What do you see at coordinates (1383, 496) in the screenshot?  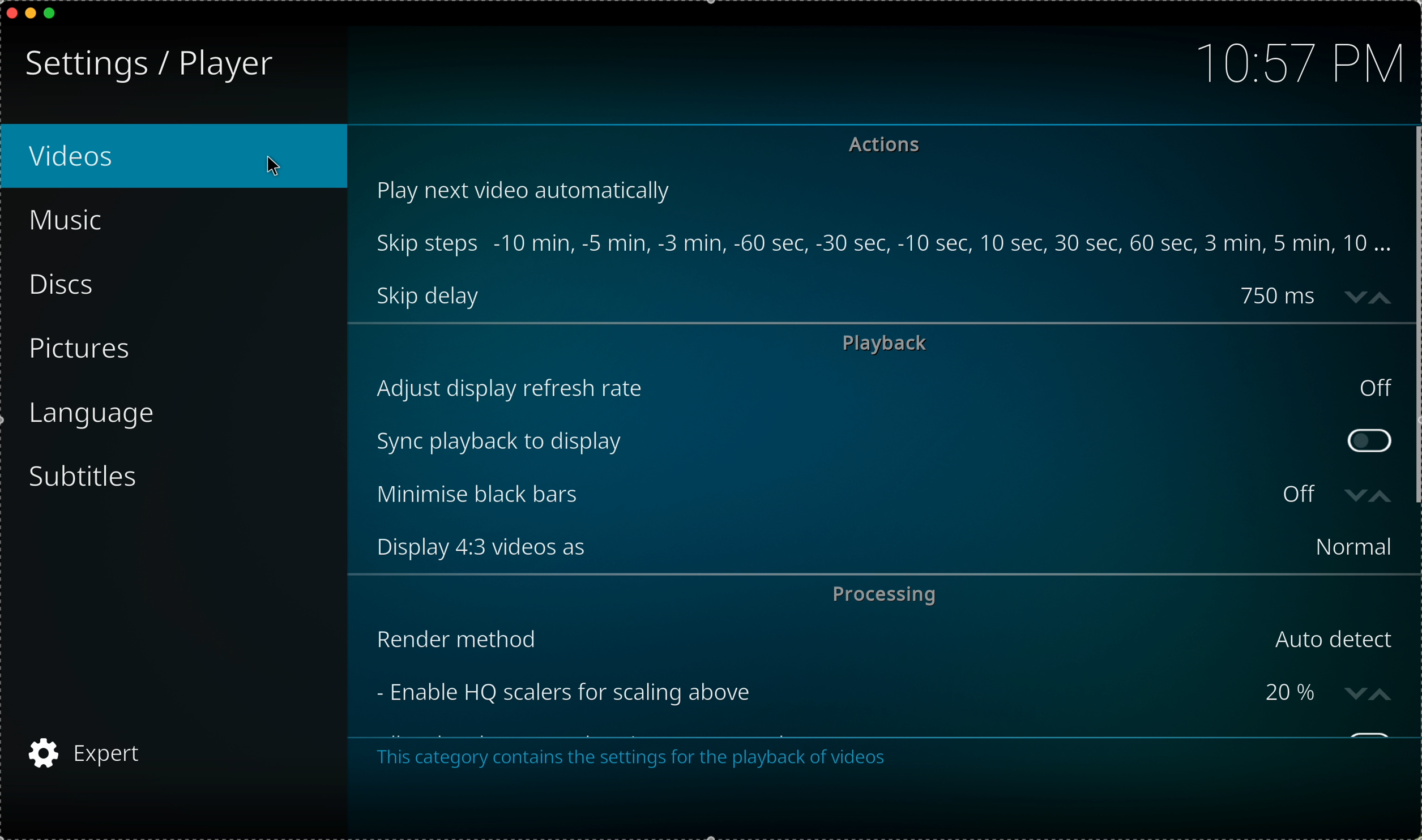 I see `increasevalue` at bounding box center [1383, 496].